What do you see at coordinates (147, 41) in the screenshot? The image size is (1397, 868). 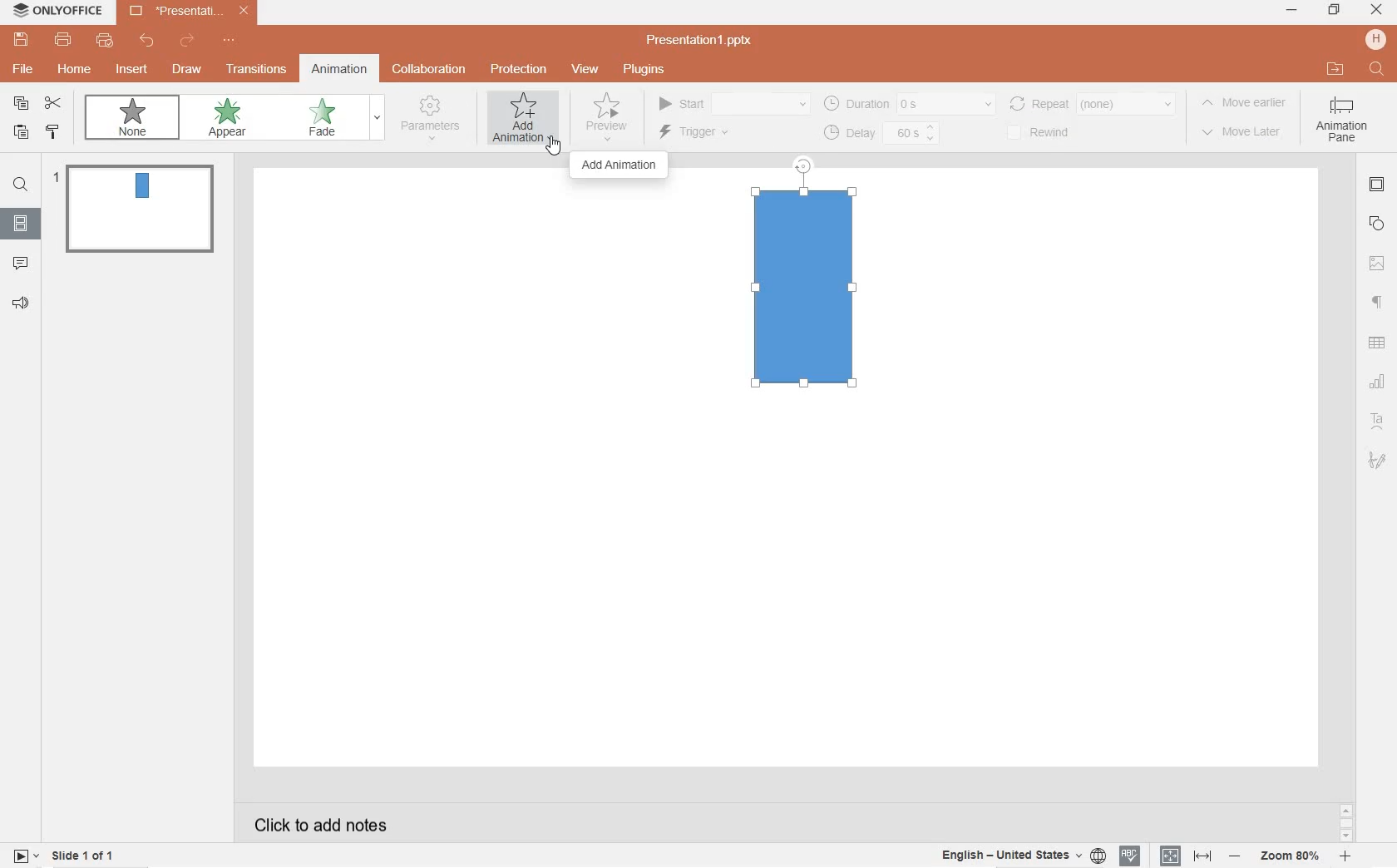 I see `undo` at bounding box center [147, 41].